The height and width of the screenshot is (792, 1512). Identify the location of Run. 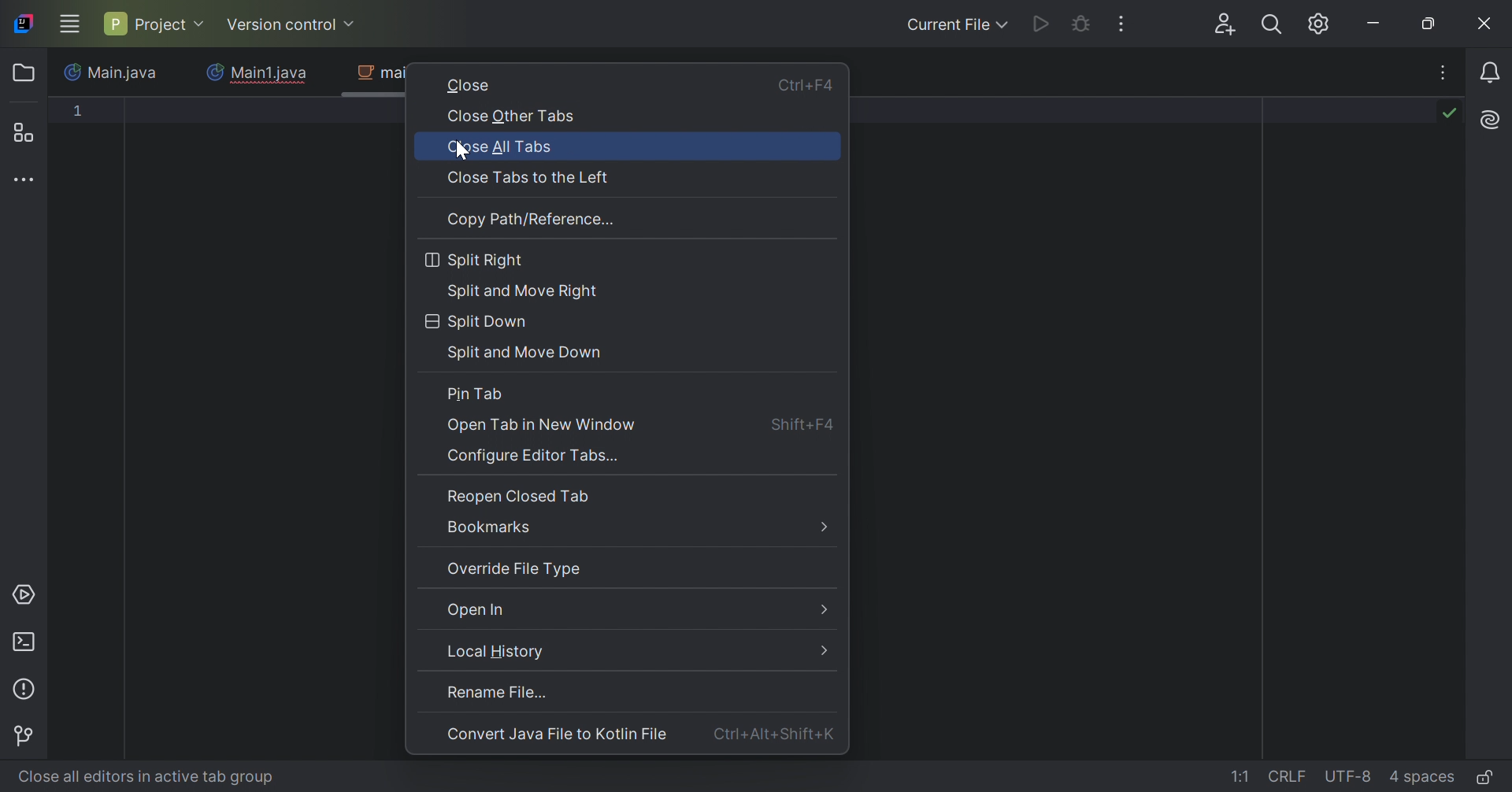
(1042, 23).